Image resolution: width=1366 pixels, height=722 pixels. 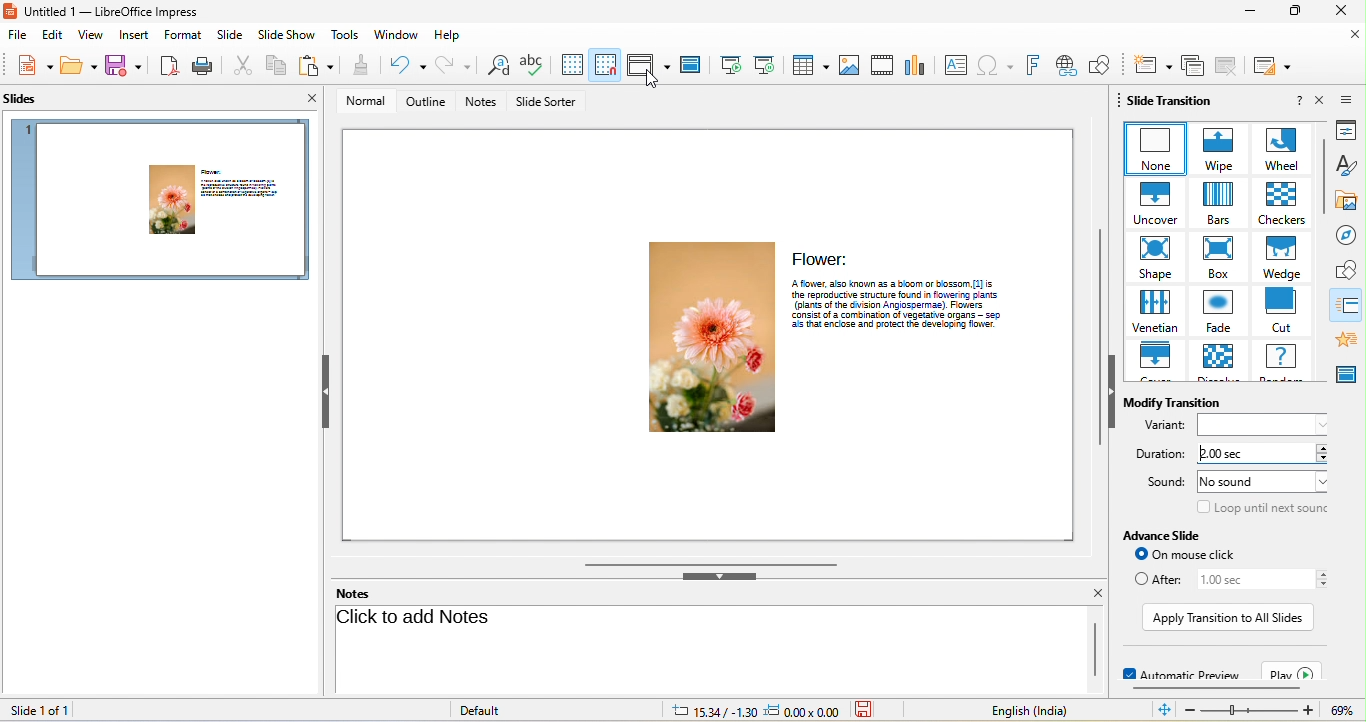 I want to click on image of flower, so click(x=707, y=338).